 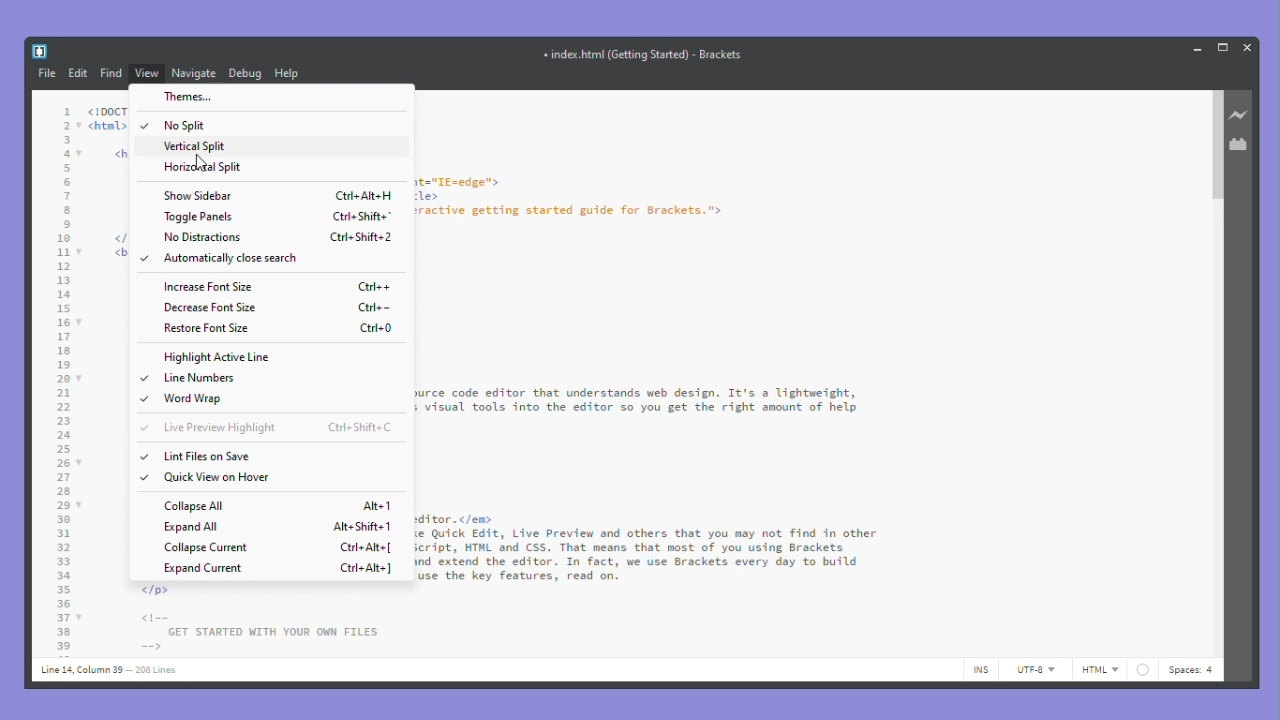 I want to click on Navigate, so click(x=195, y=73).